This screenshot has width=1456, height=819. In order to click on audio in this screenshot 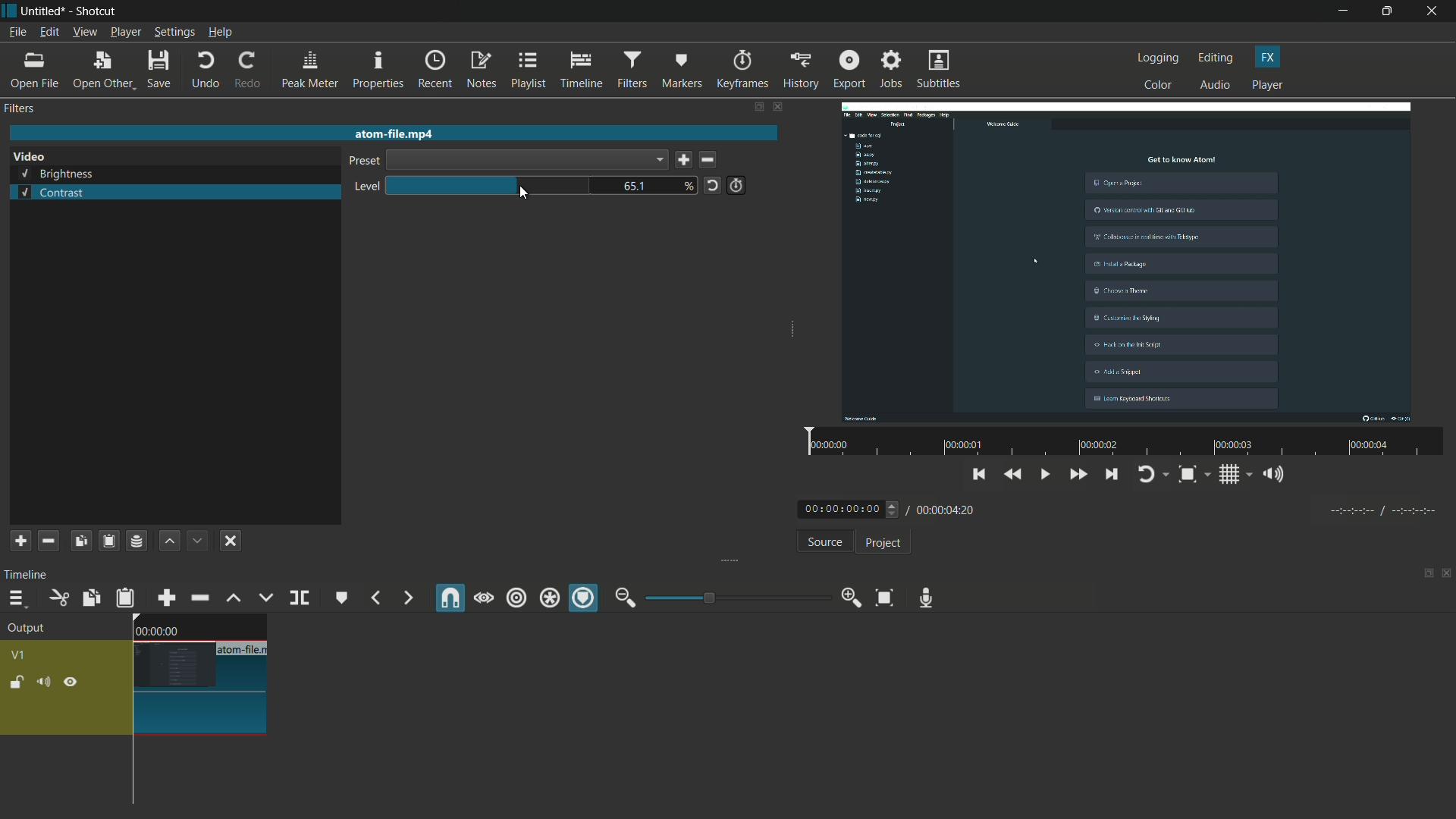, I will do `click(1216, 86)`.